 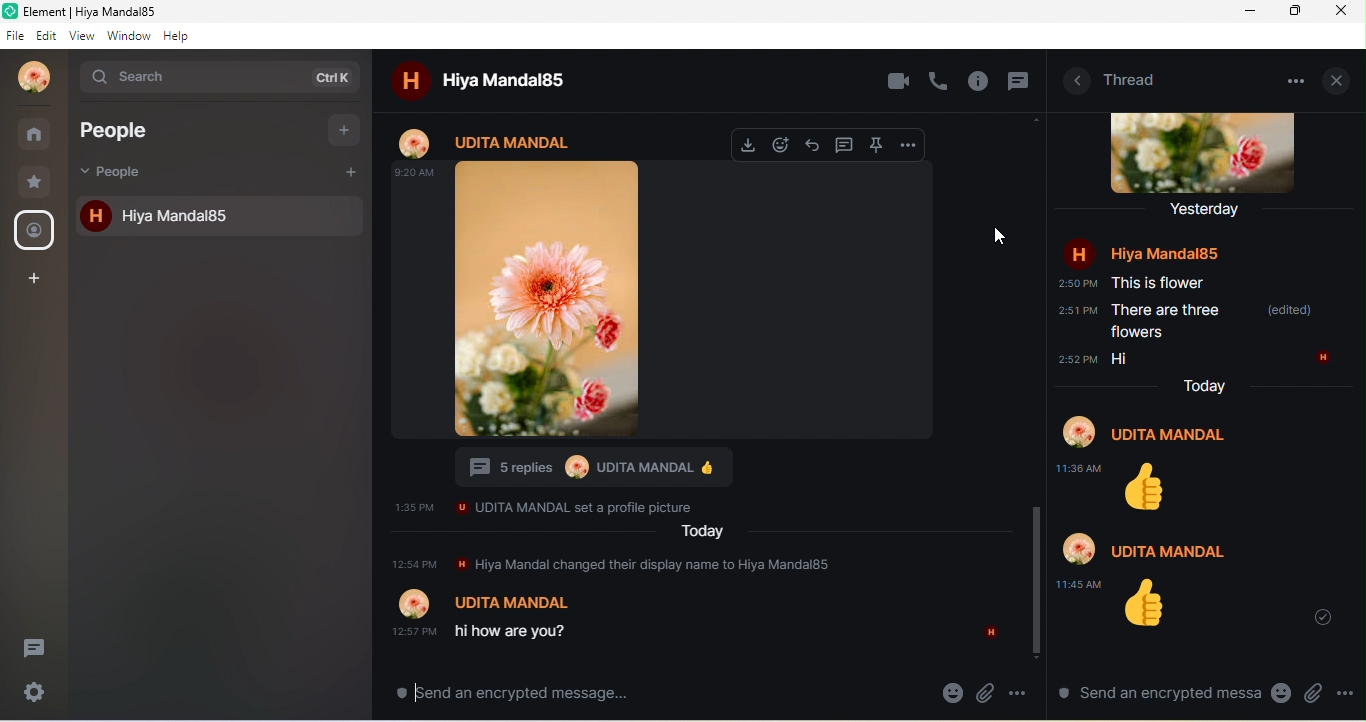 What do you see at coordinates (705, 531) in the screenshot?
I see `Today` at bounding box center [705, 531].